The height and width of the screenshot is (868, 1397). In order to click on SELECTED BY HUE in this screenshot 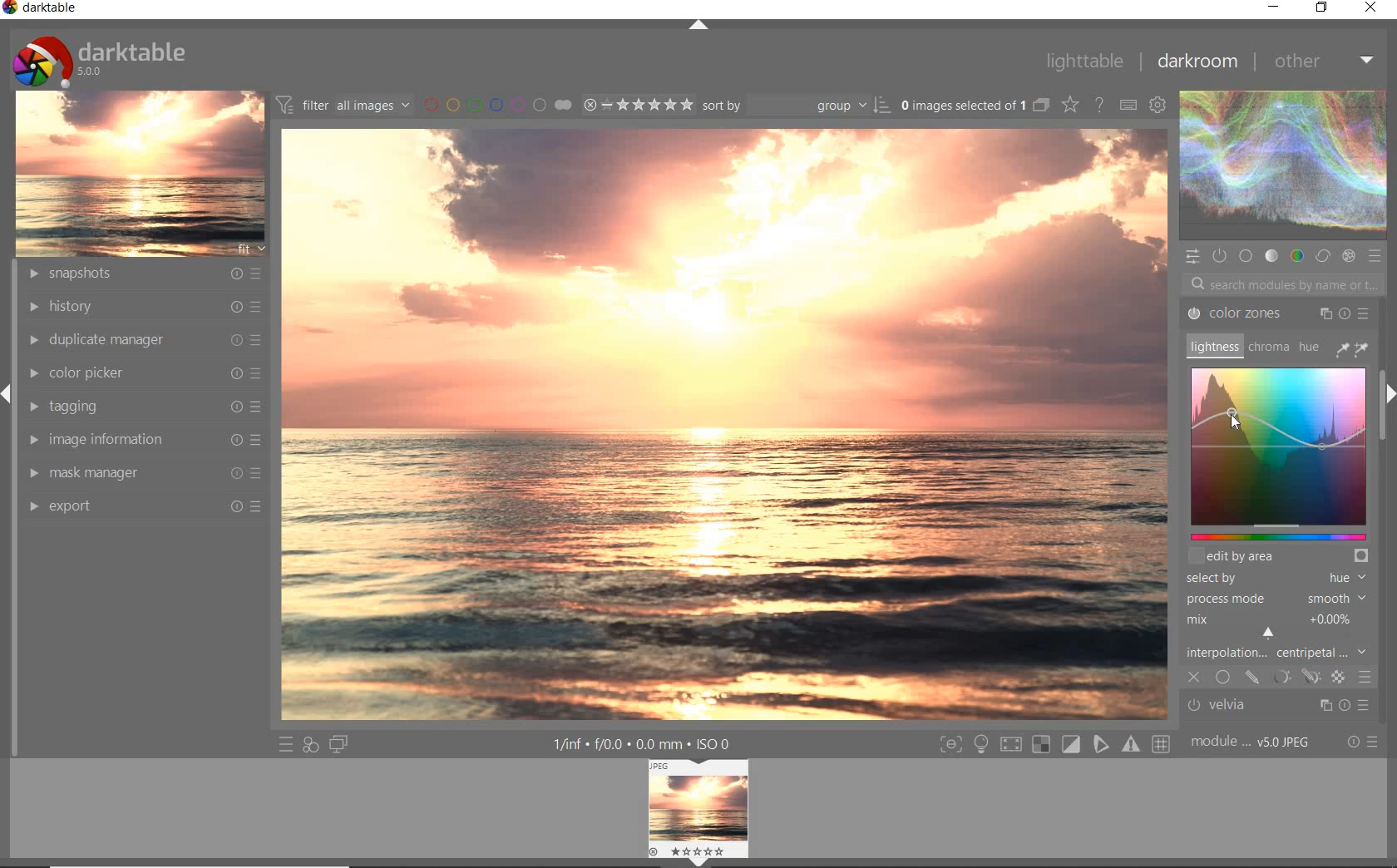, I will do `click(1276, 578)`.